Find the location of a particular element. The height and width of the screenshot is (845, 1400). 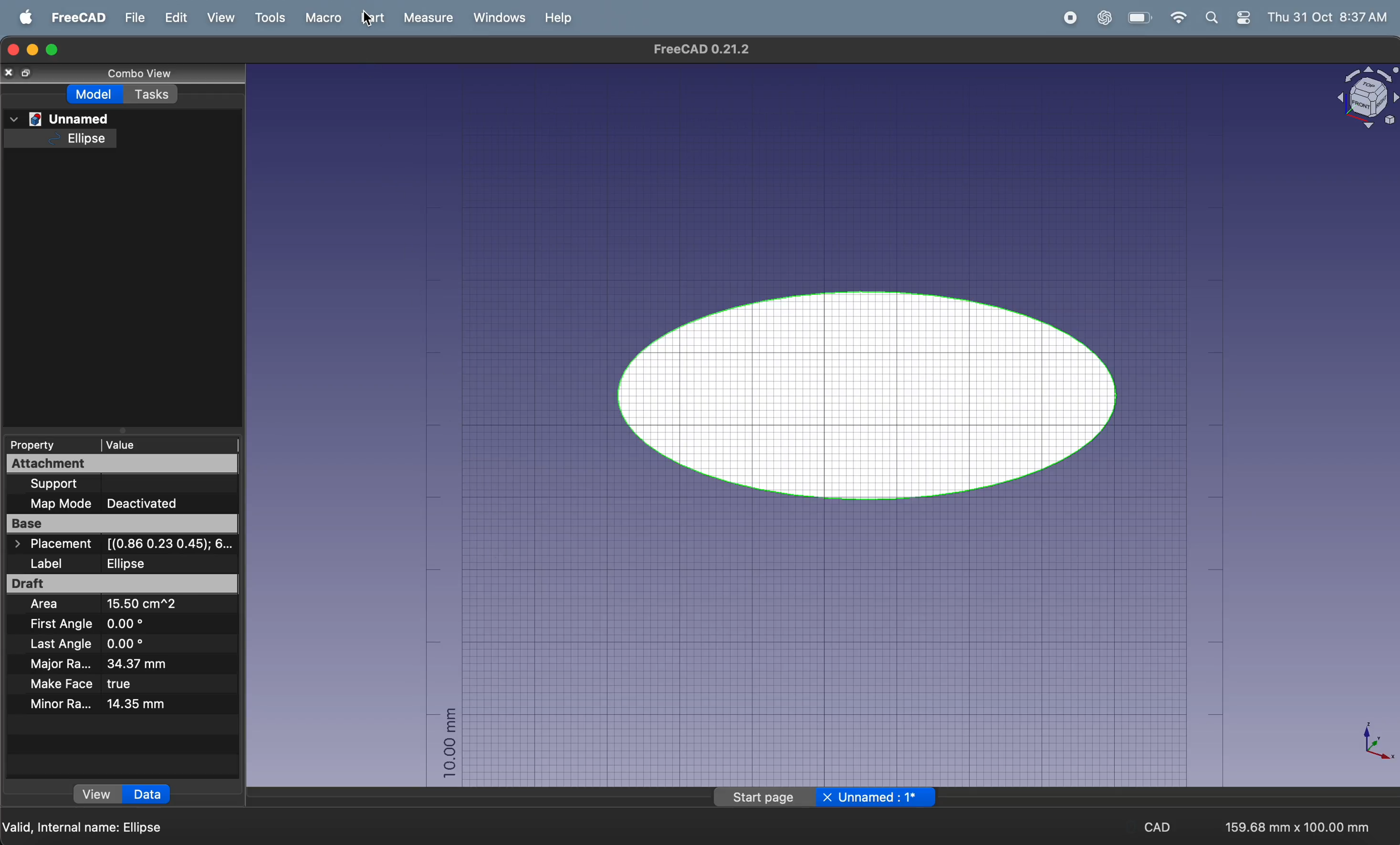

object title is located at coordinates (1352, 99).